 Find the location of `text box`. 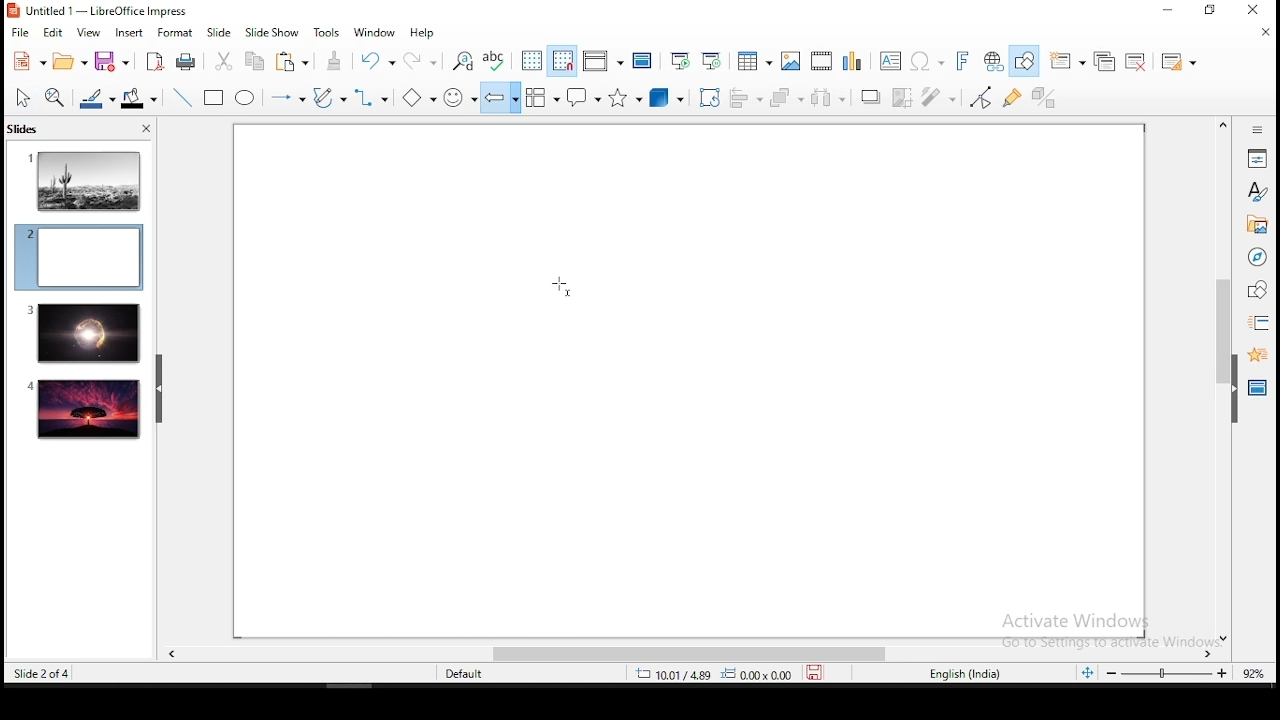

text box is located at coordinates (889, 61).